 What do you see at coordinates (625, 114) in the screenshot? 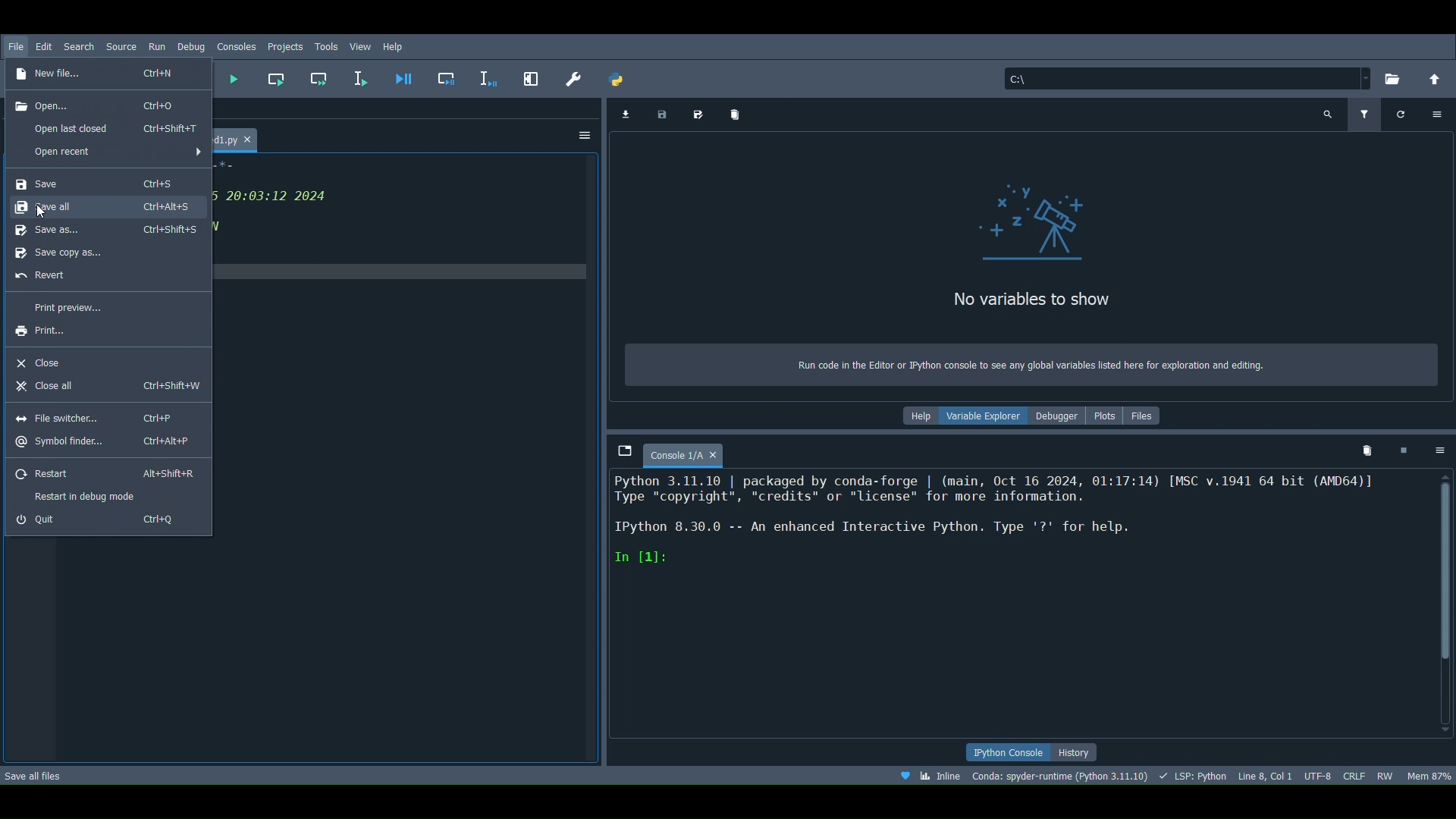
I see `Import data` at bounding box center [625, 114].